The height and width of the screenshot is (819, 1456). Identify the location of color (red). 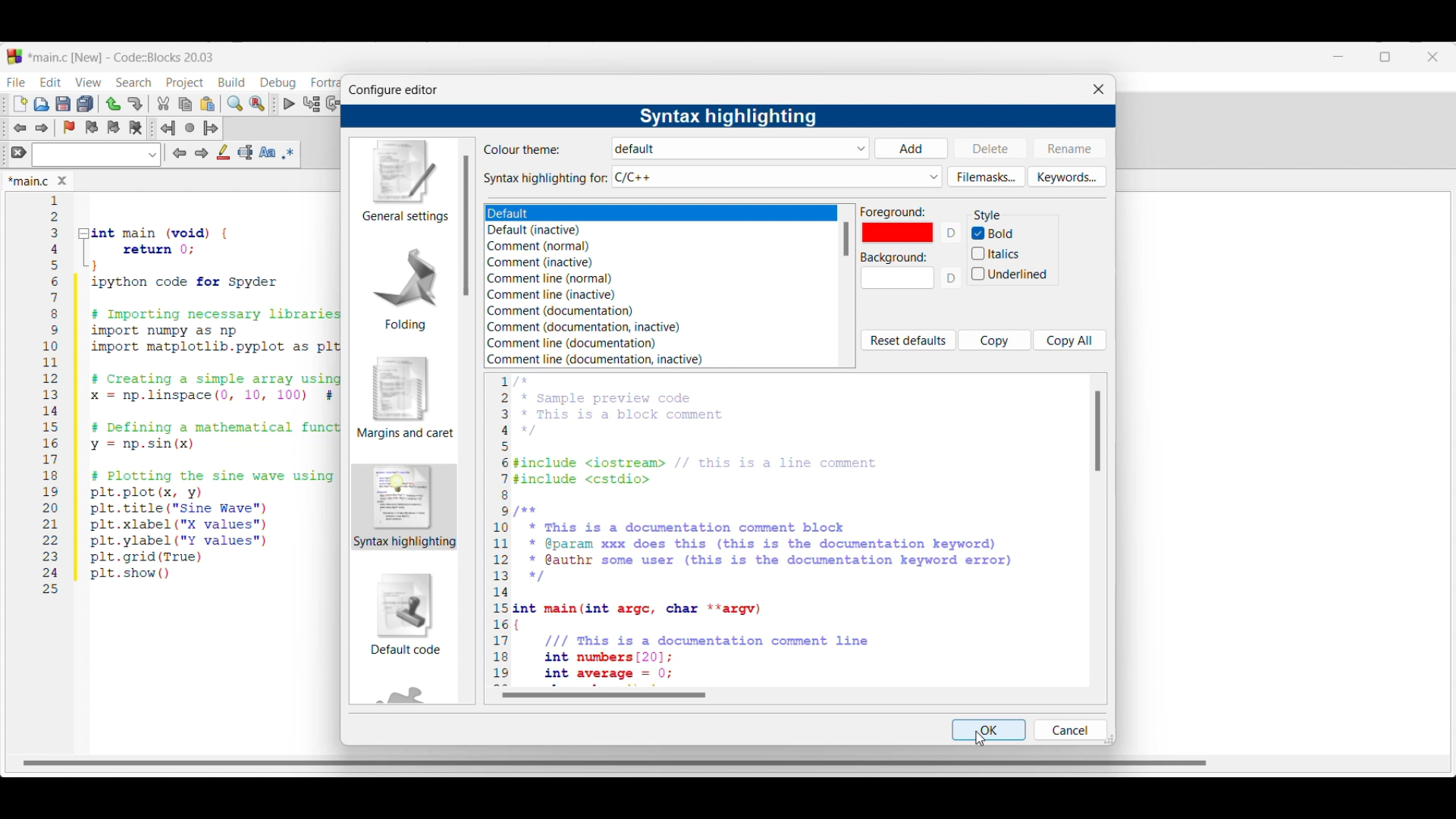
(896, 234).